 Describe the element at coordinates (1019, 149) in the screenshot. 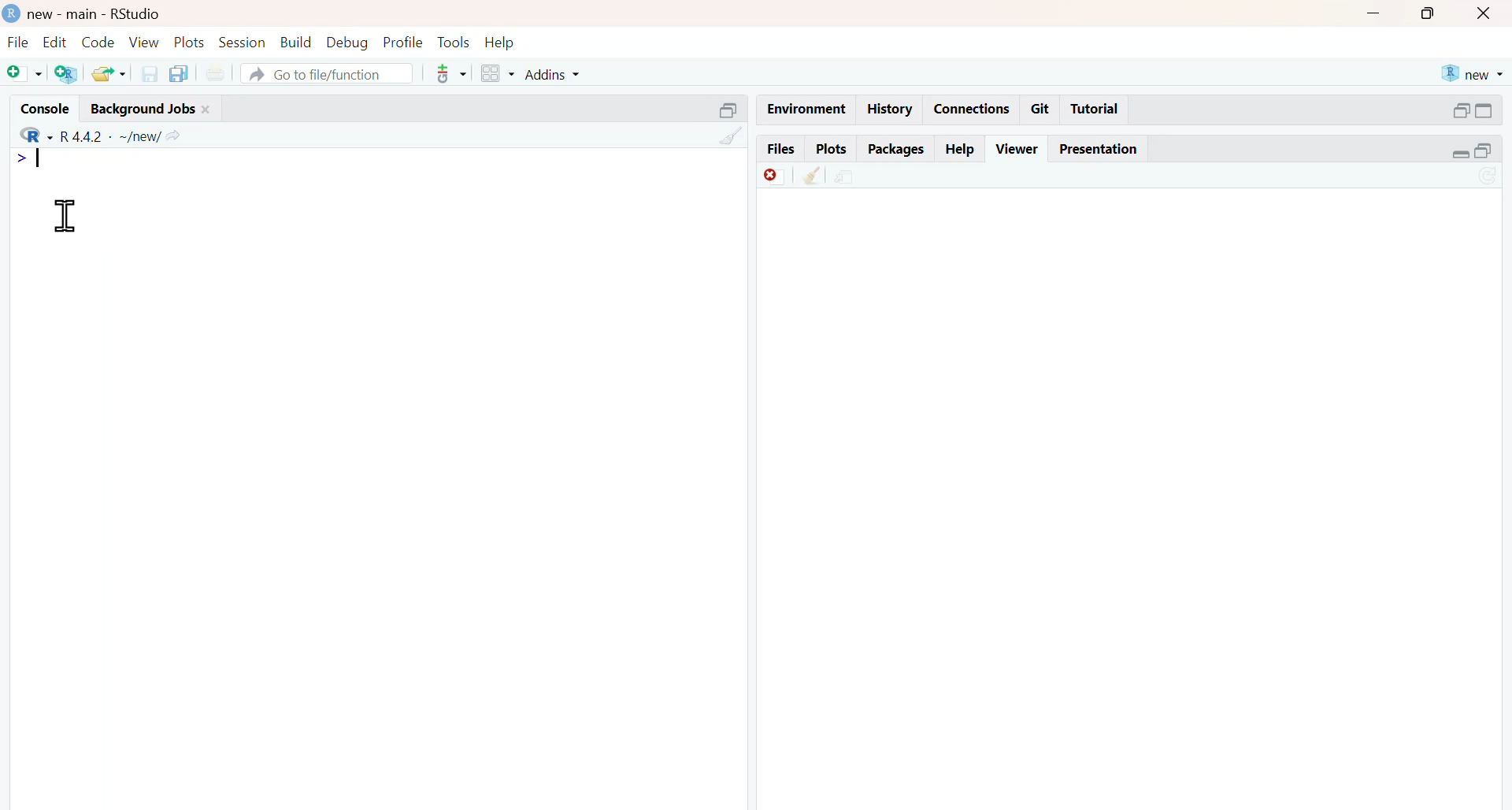

I see `viewer` at that location.